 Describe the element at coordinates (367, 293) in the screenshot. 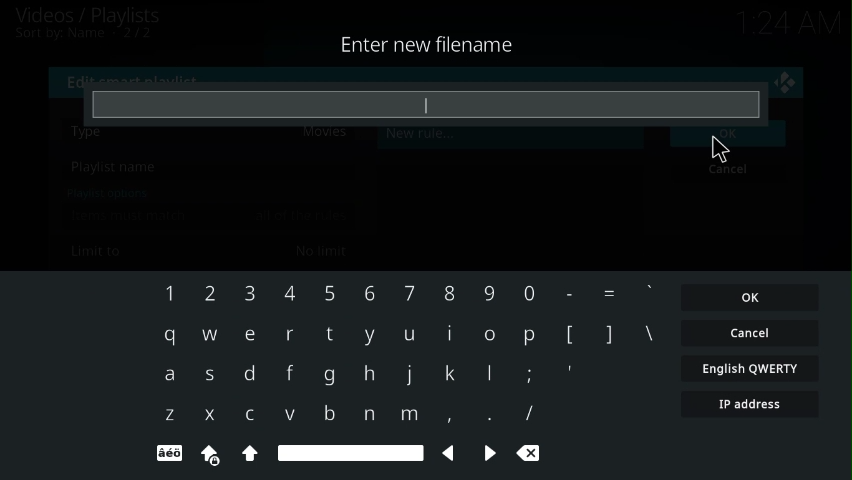

I see `6` at that location.